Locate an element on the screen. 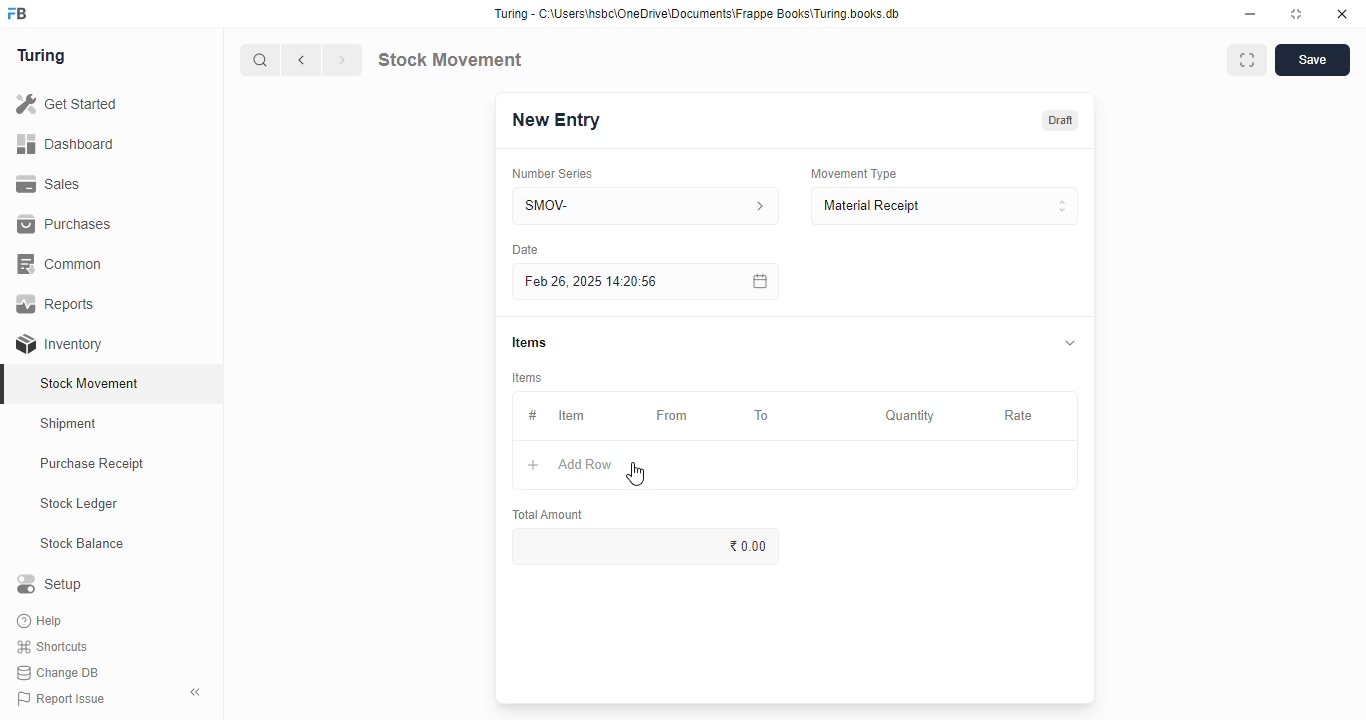 This screenshot has width=1366, height=720. add is located at coordinates (533, 465).